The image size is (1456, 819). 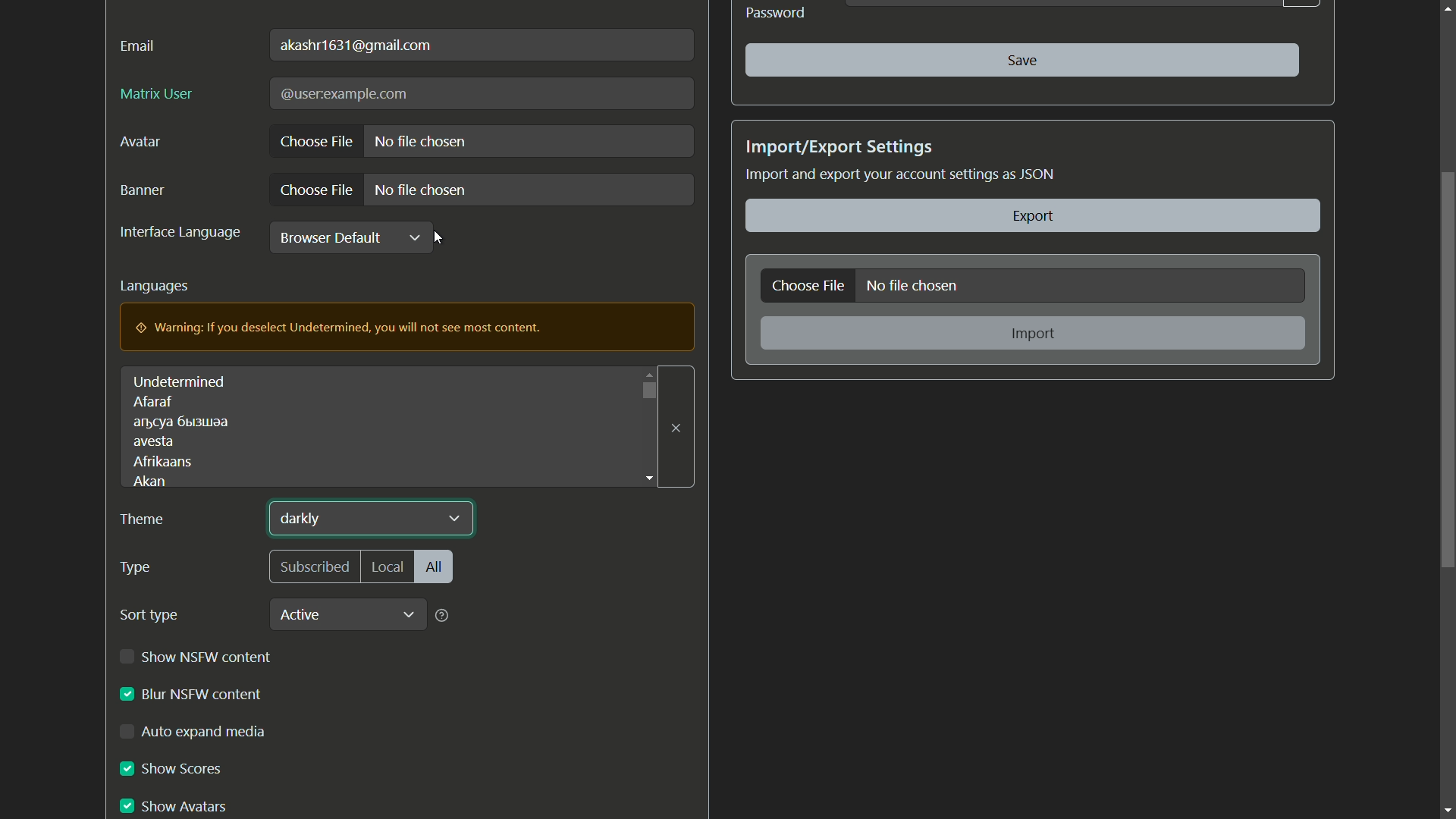 I want to click on interface language, so click(x=180, y=234).